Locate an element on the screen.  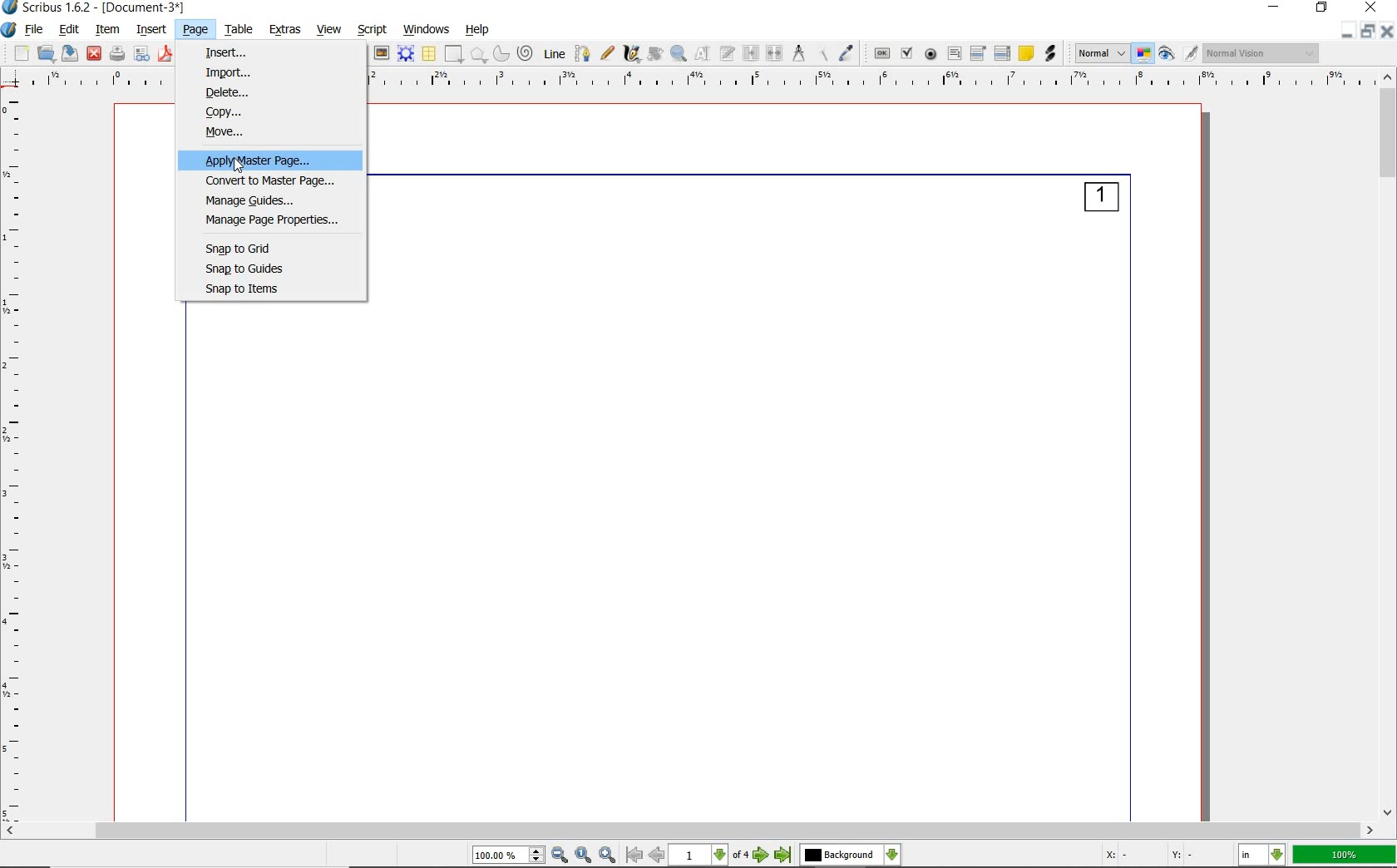
pdf radio button is located at coordinates (931, 55).